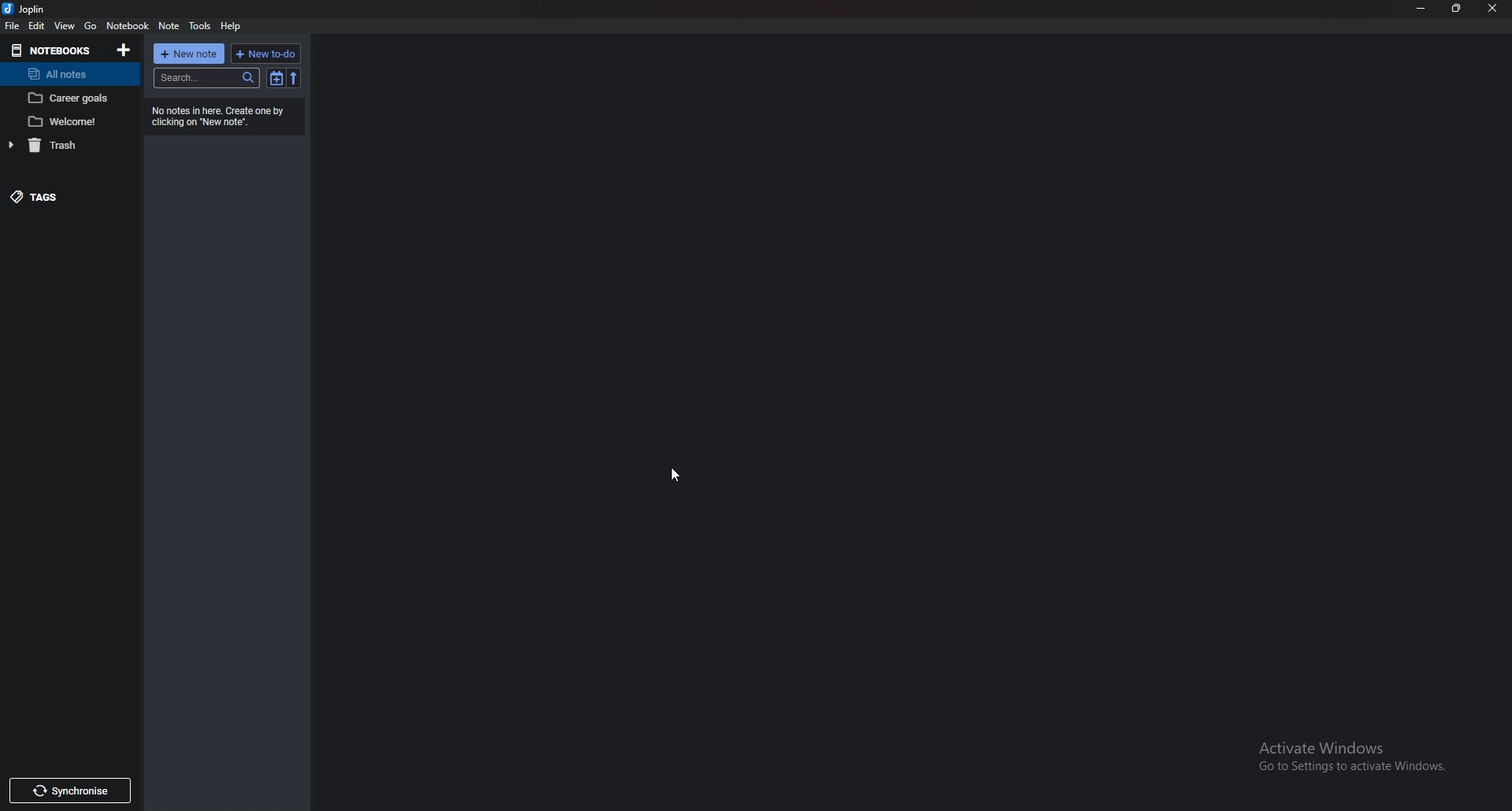  What do you see at coordinates (124, 50) in the screenshot?
I see `add notebook` at bounding box center [124, 50].